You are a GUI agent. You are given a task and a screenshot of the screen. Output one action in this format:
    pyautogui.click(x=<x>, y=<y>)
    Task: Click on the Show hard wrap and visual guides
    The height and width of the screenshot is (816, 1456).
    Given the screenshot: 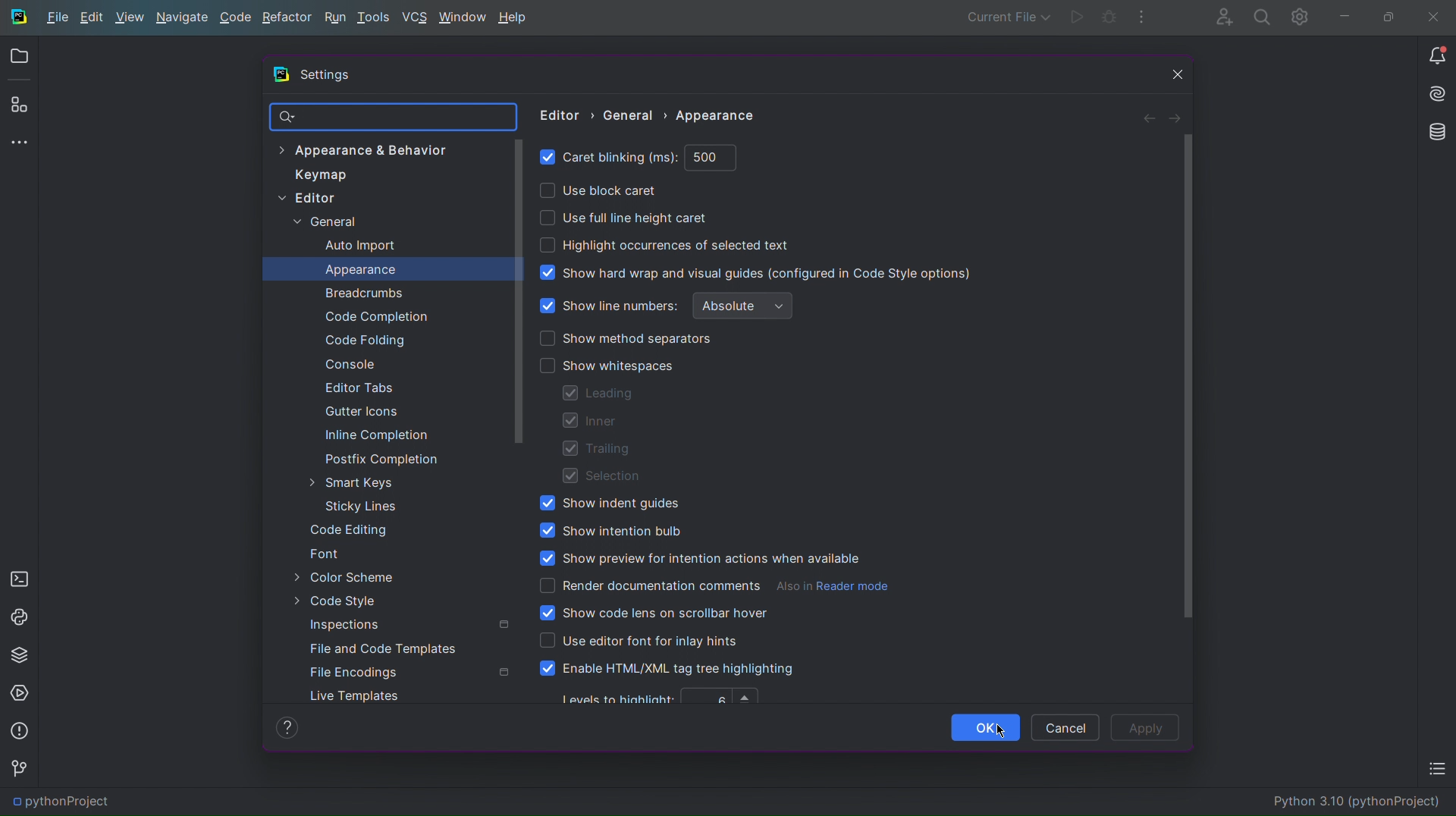 What is the action you would take?
    pyautogui.click(x=758, y=273)
    